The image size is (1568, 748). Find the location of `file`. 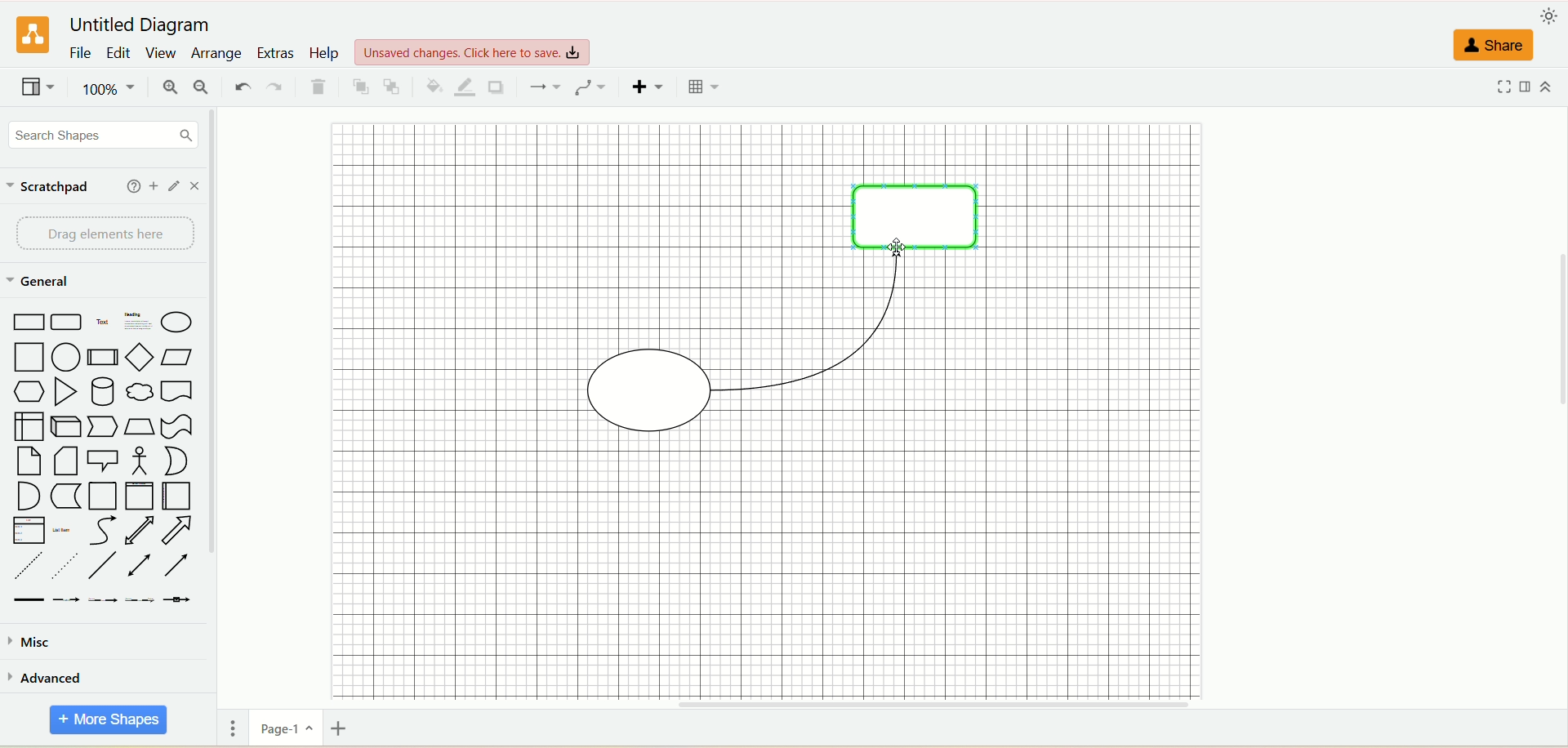

file is located at coordinates (79, 55).